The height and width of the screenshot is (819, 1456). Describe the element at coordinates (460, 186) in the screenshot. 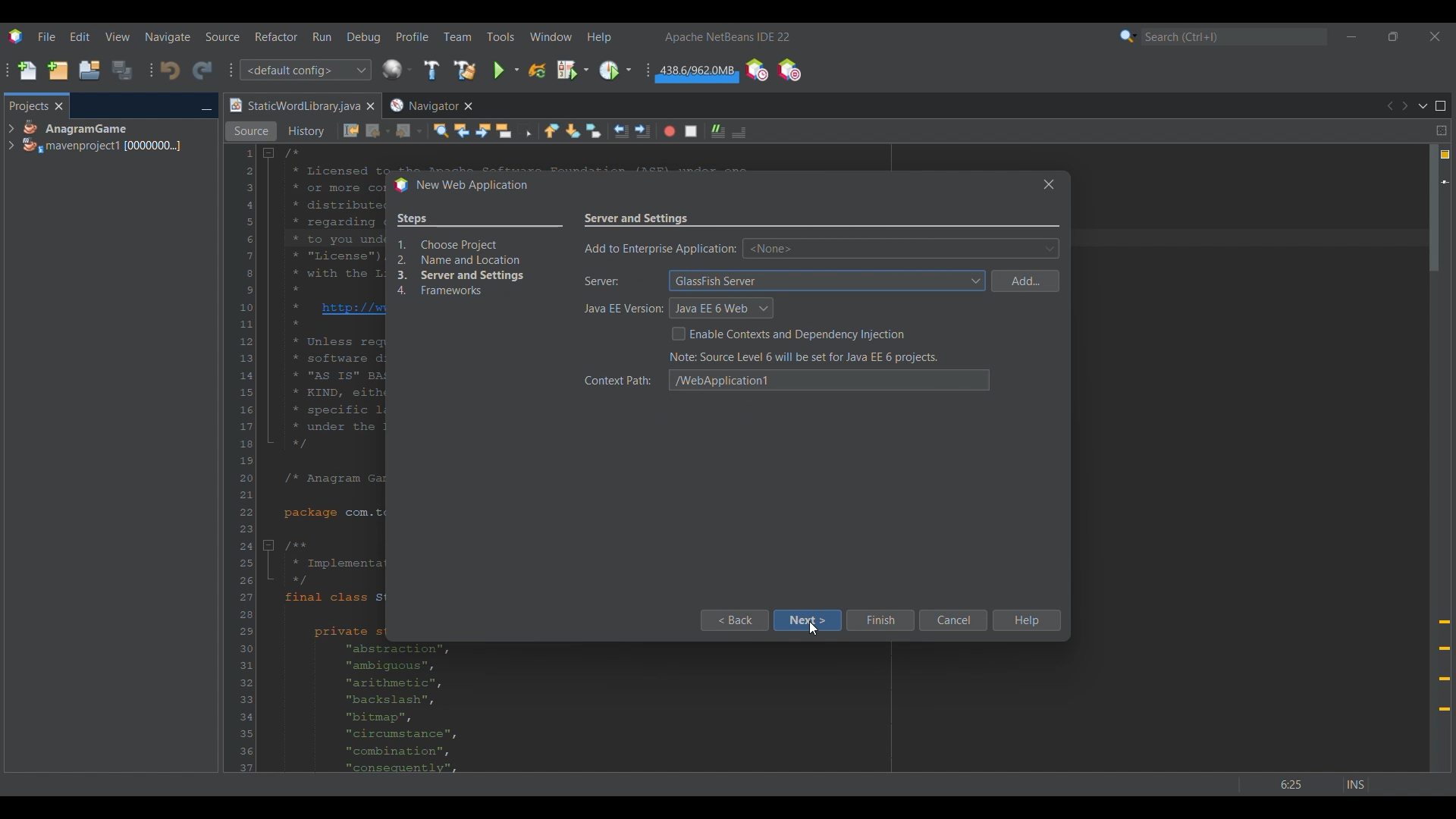

I see `Window title changed` at that location.